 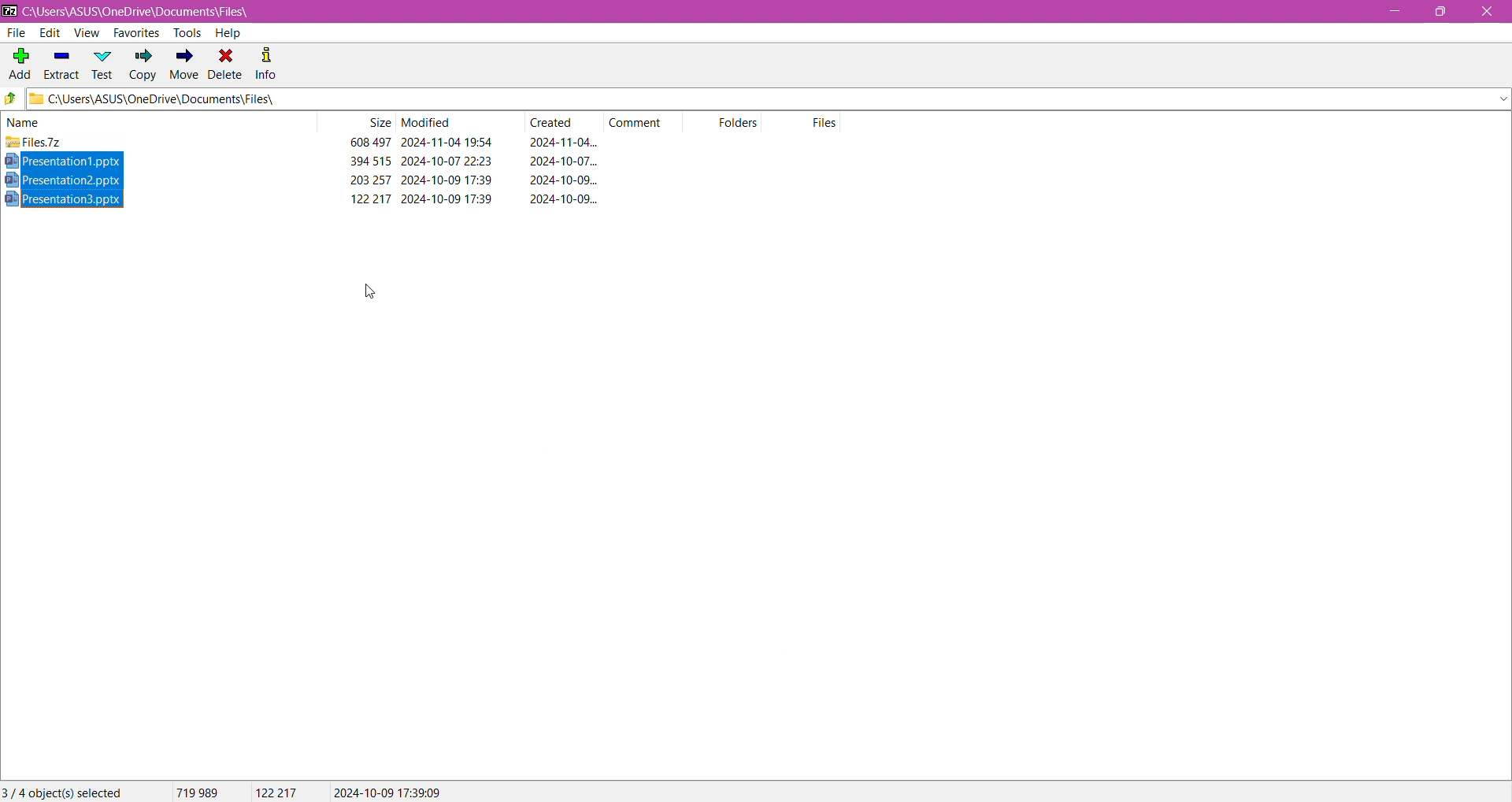 I want to click on Name, so click(x=39, y=122).